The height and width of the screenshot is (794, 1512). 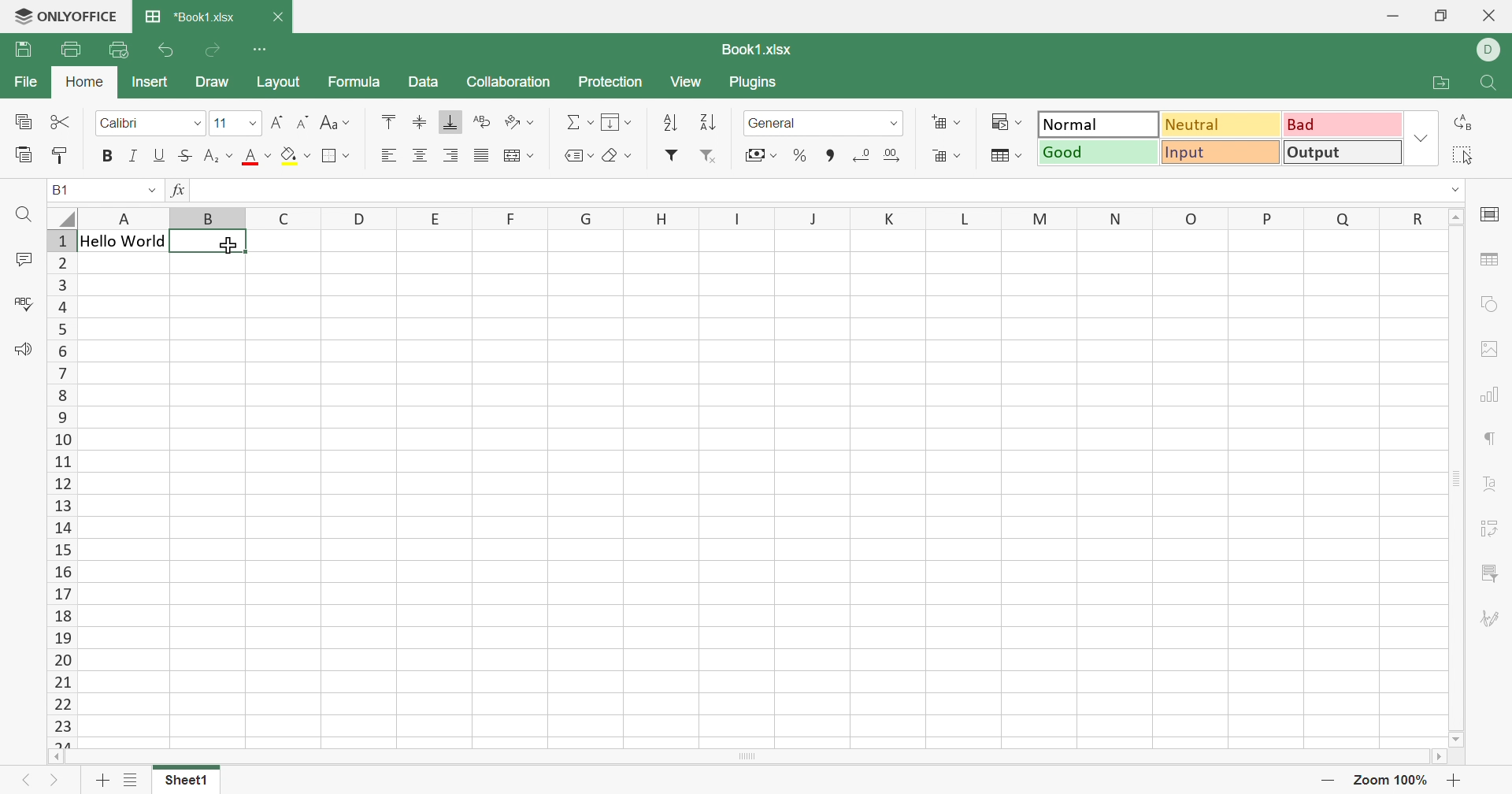 I want to click on Find, so click(x=24, y=217).